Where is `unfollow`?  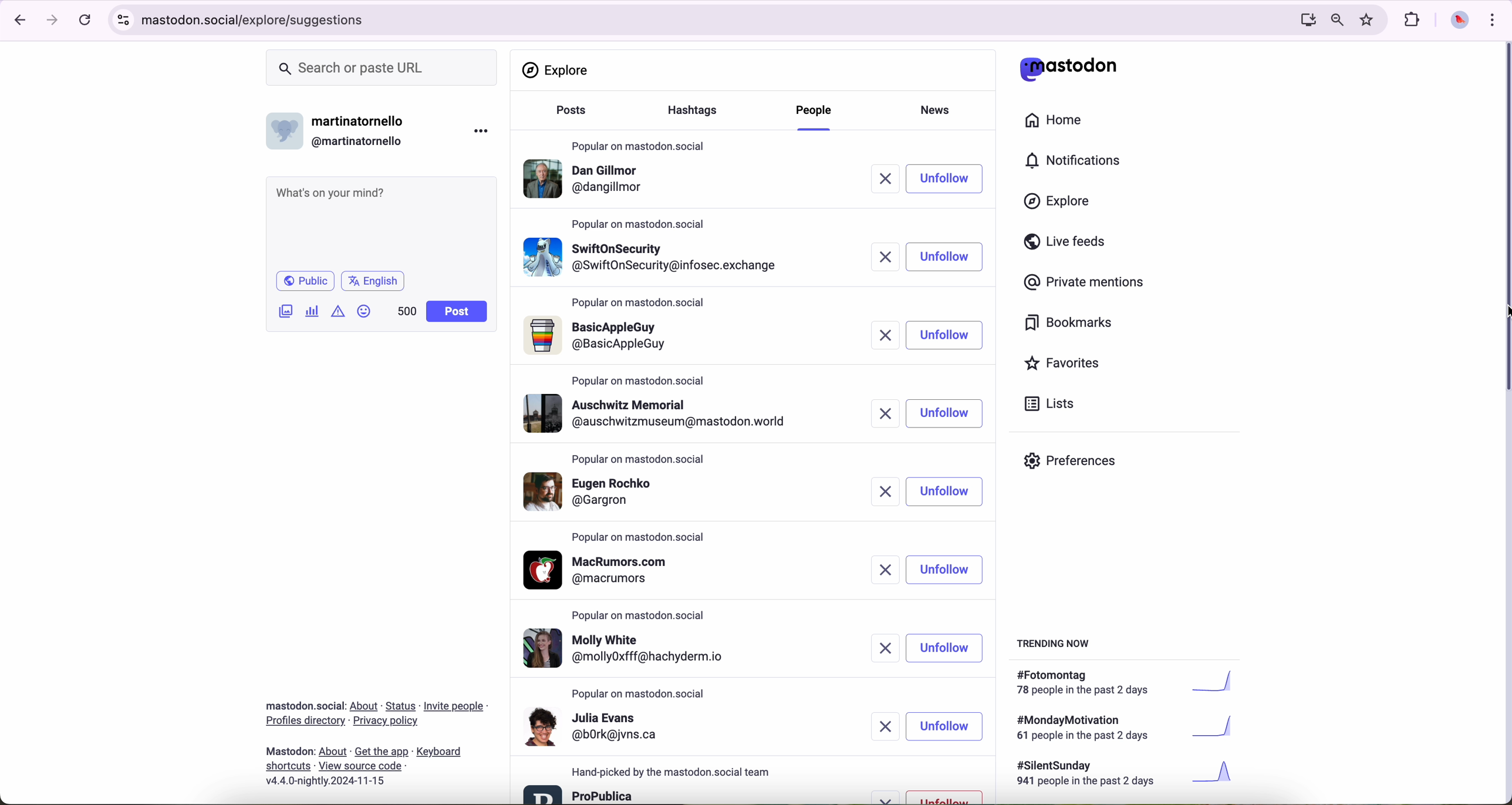 unfollow is located at coordinates (947, 727).